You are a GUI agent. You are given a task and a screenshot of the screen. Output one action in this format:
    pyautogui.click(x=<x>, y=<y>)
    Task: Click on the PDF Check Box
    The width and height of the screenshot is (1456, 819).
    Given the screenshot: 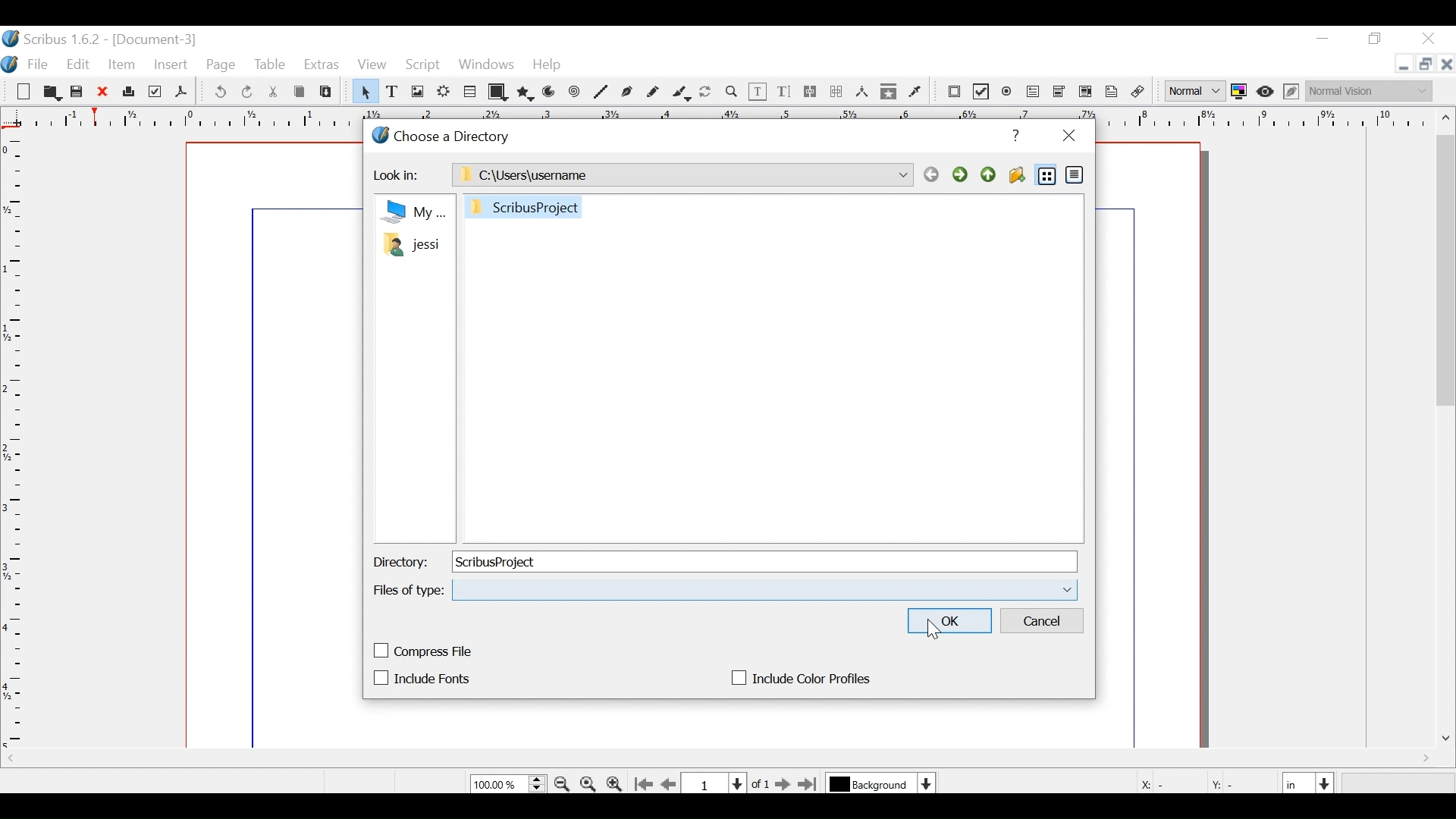 What is the action you would take?
    pyautogui.click(x=981, y=92)
    